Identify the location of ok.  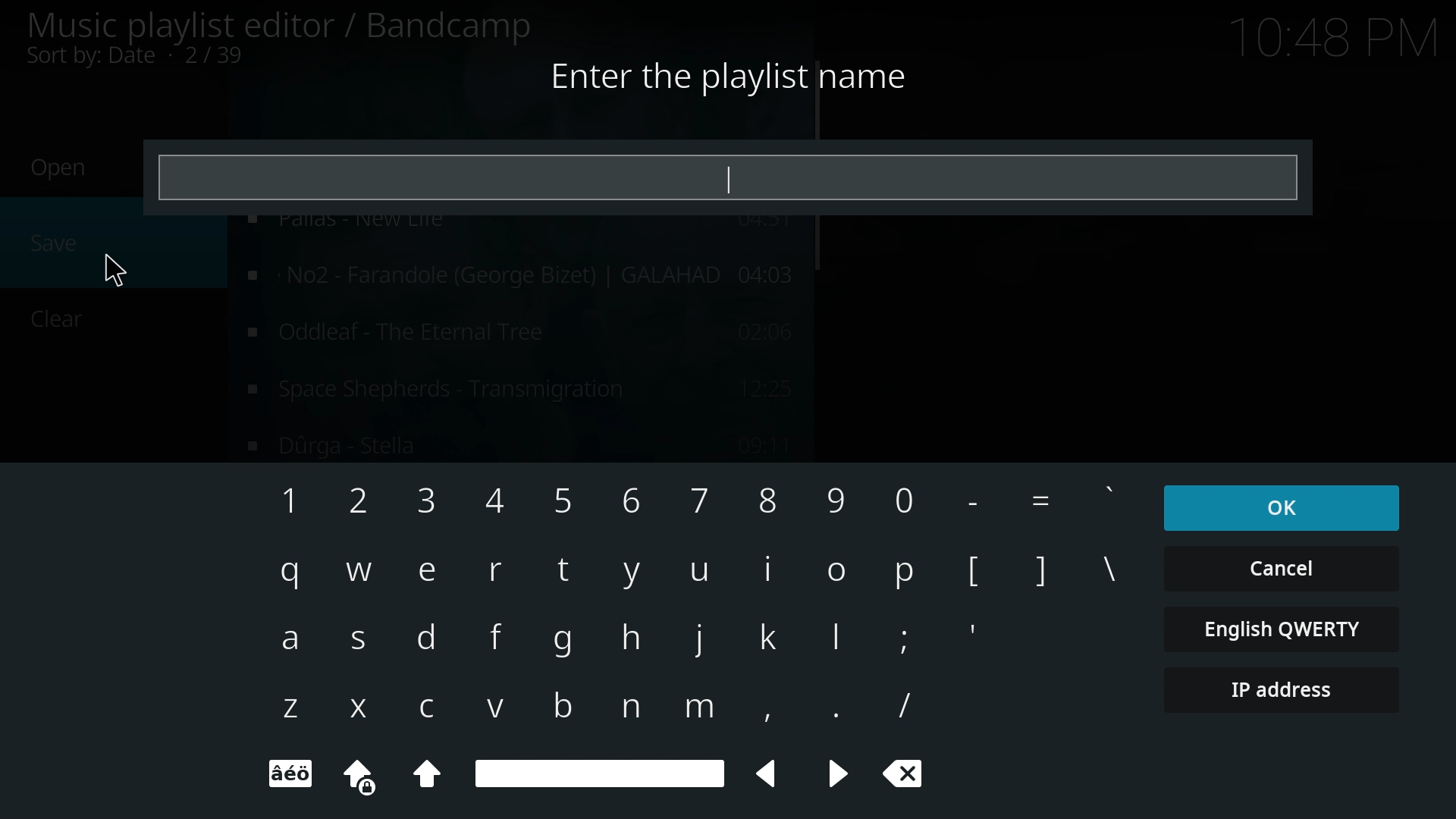
(1285, 507).